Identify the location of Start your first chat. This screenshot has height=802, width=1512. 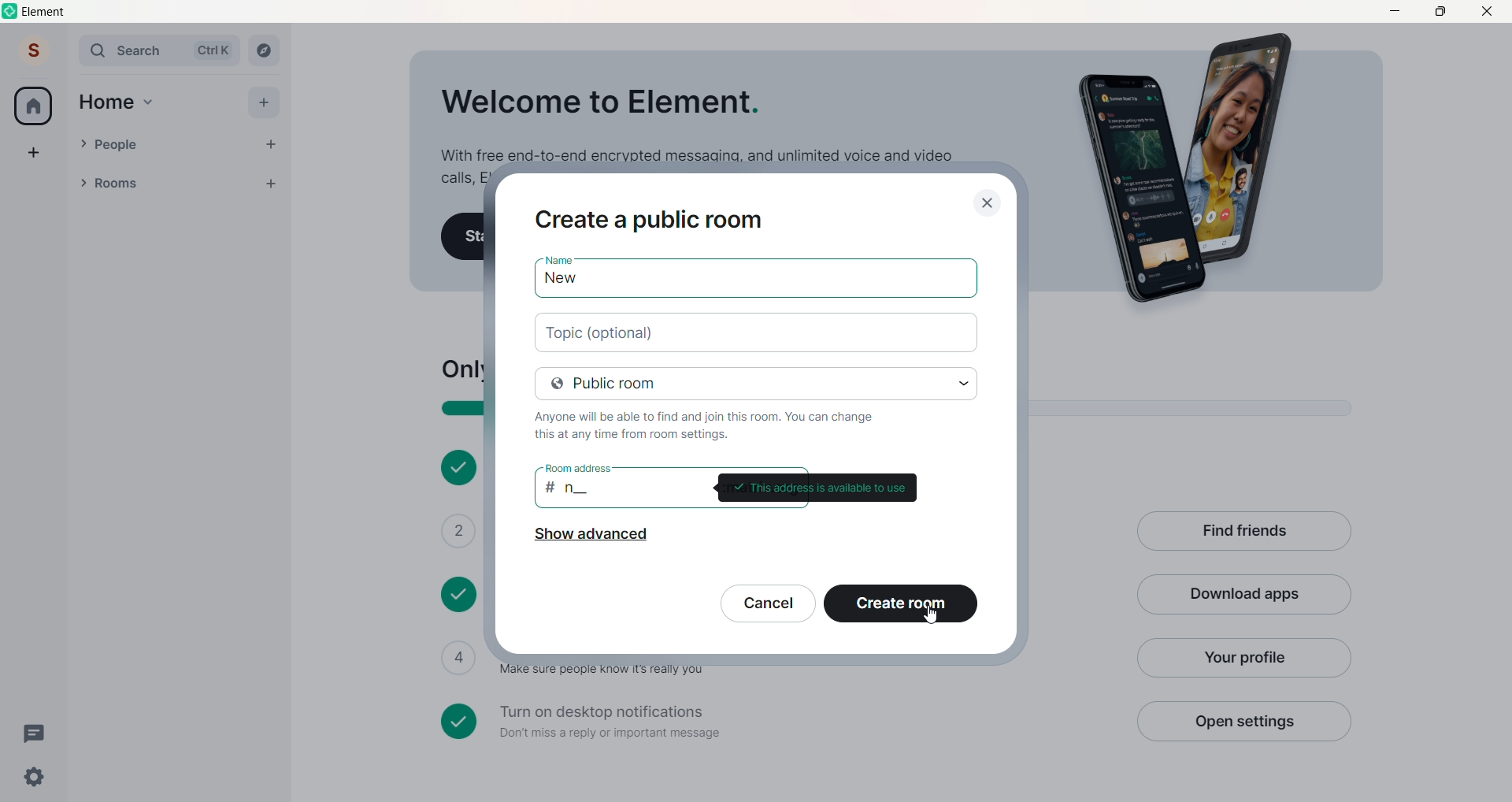
(463, 237).